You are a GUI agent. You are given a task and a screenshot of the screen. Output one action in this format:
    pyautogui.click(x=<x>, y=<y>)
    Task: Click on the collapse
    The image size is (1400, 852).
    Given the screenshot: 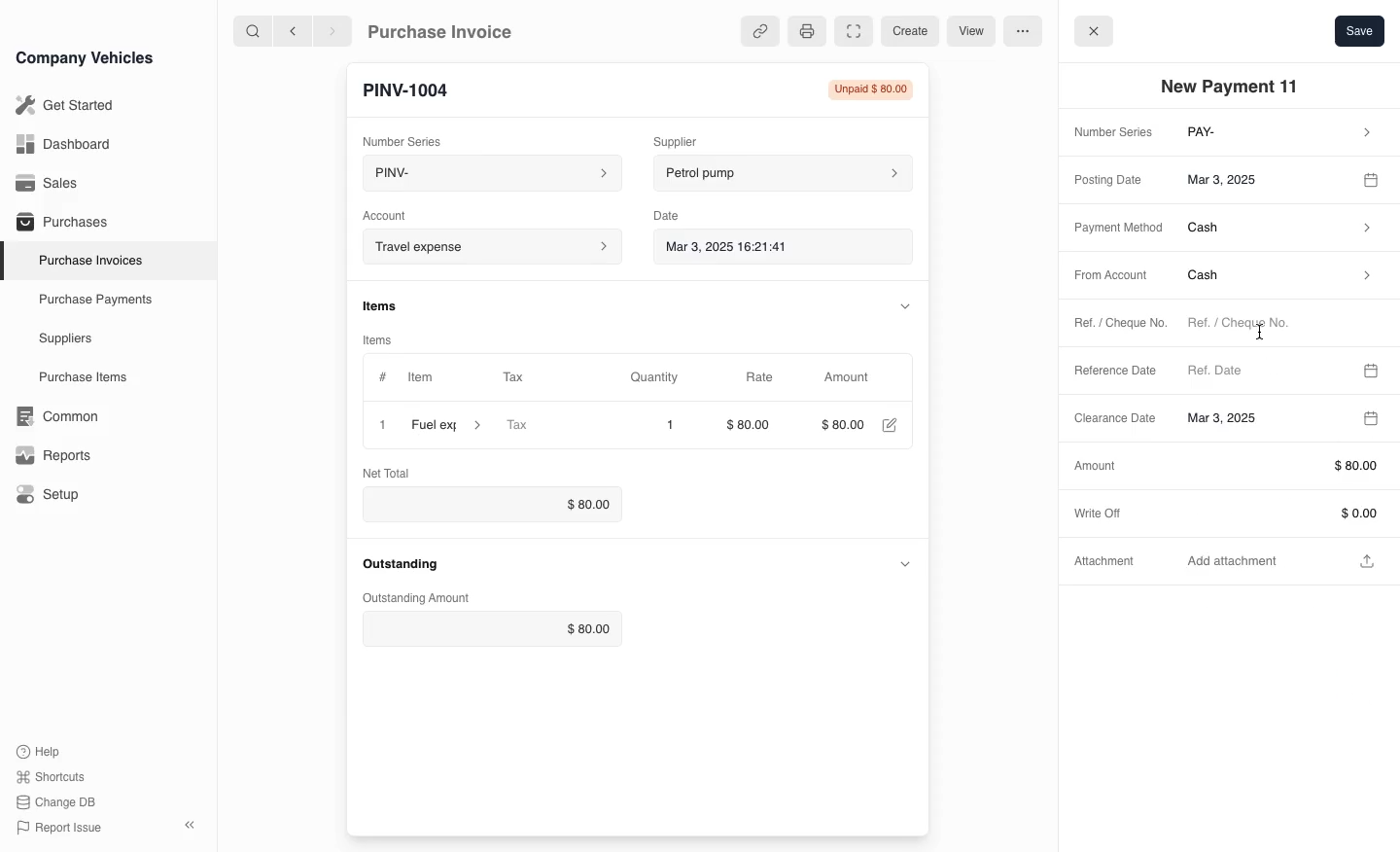 What is the action you would take?
    pyautogui.click(x=901, y=304)
    